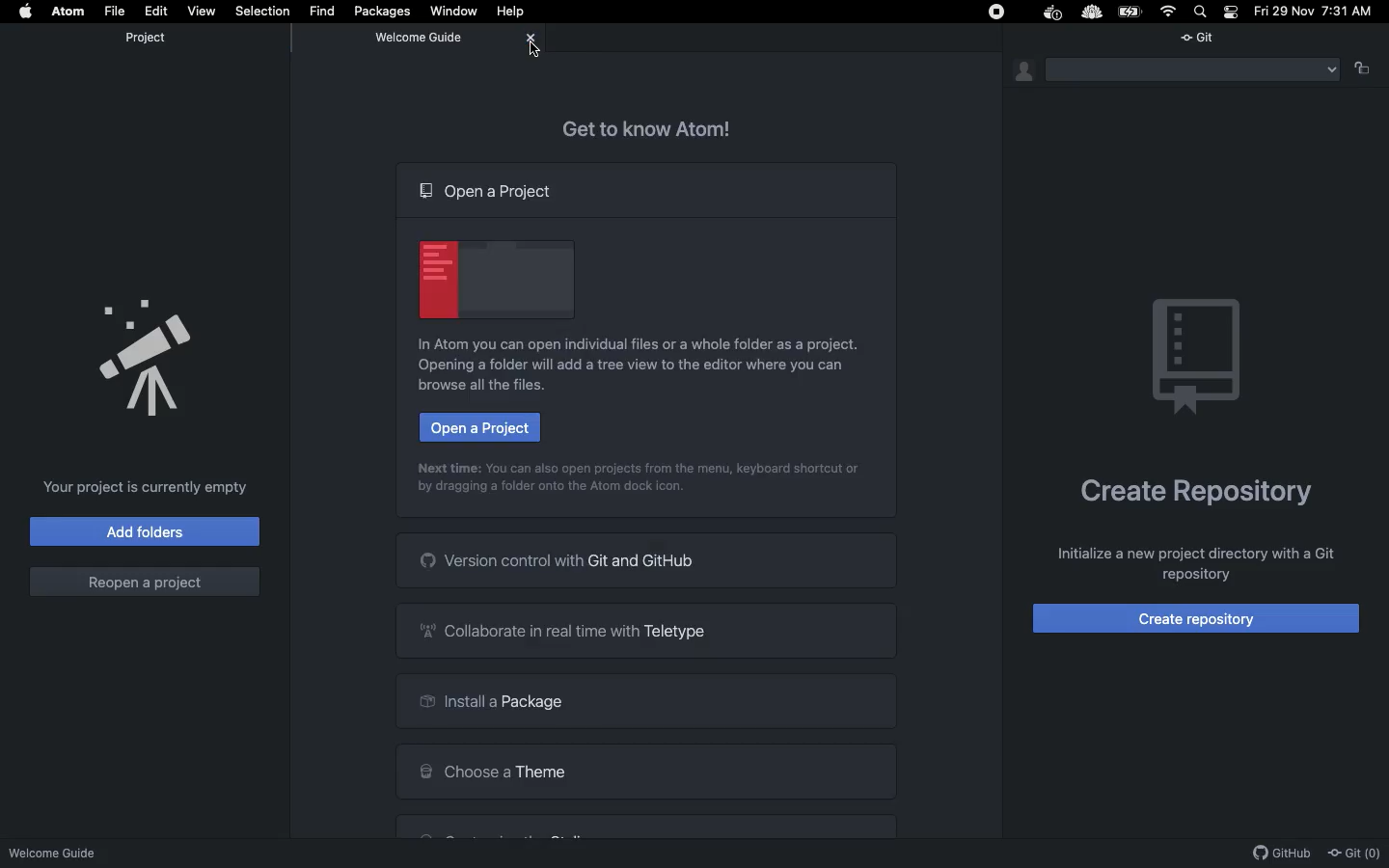  What do you see at coordinates (490, 191) in the screenshot?
I see `Open a project ` at bounding box center [490, 191].